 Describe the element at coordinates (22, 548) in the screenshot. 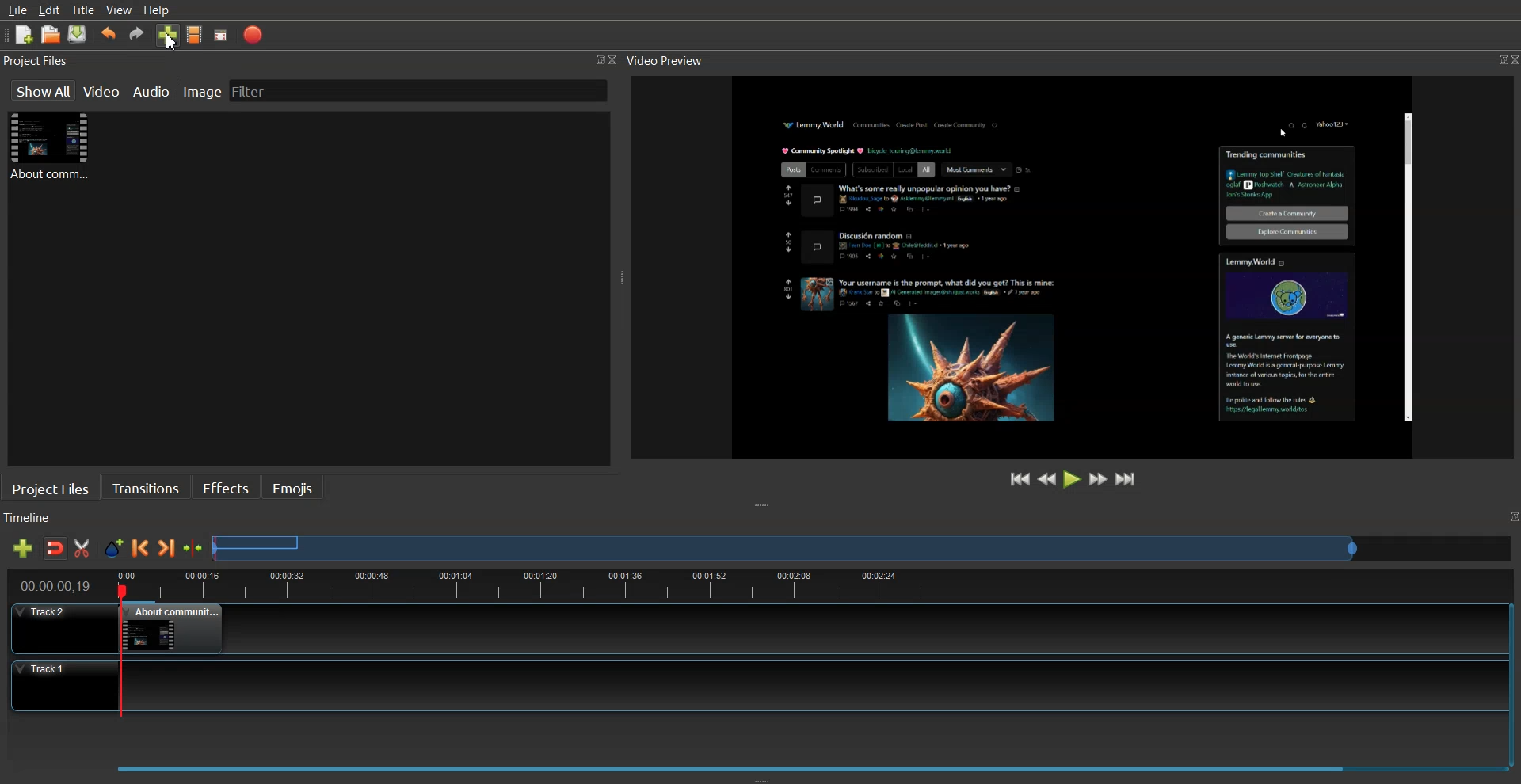

I see `Add track` at that location.